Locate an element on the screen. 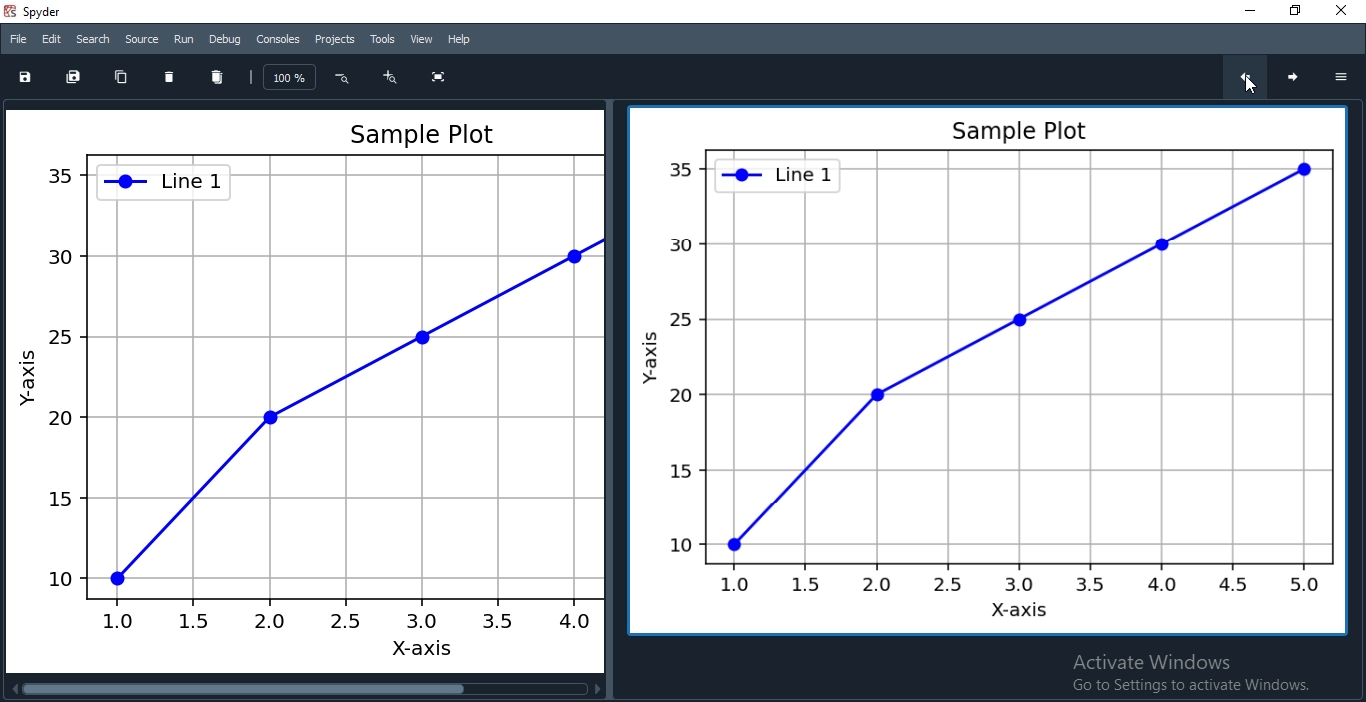  File  is located at coordinates (17, 38).